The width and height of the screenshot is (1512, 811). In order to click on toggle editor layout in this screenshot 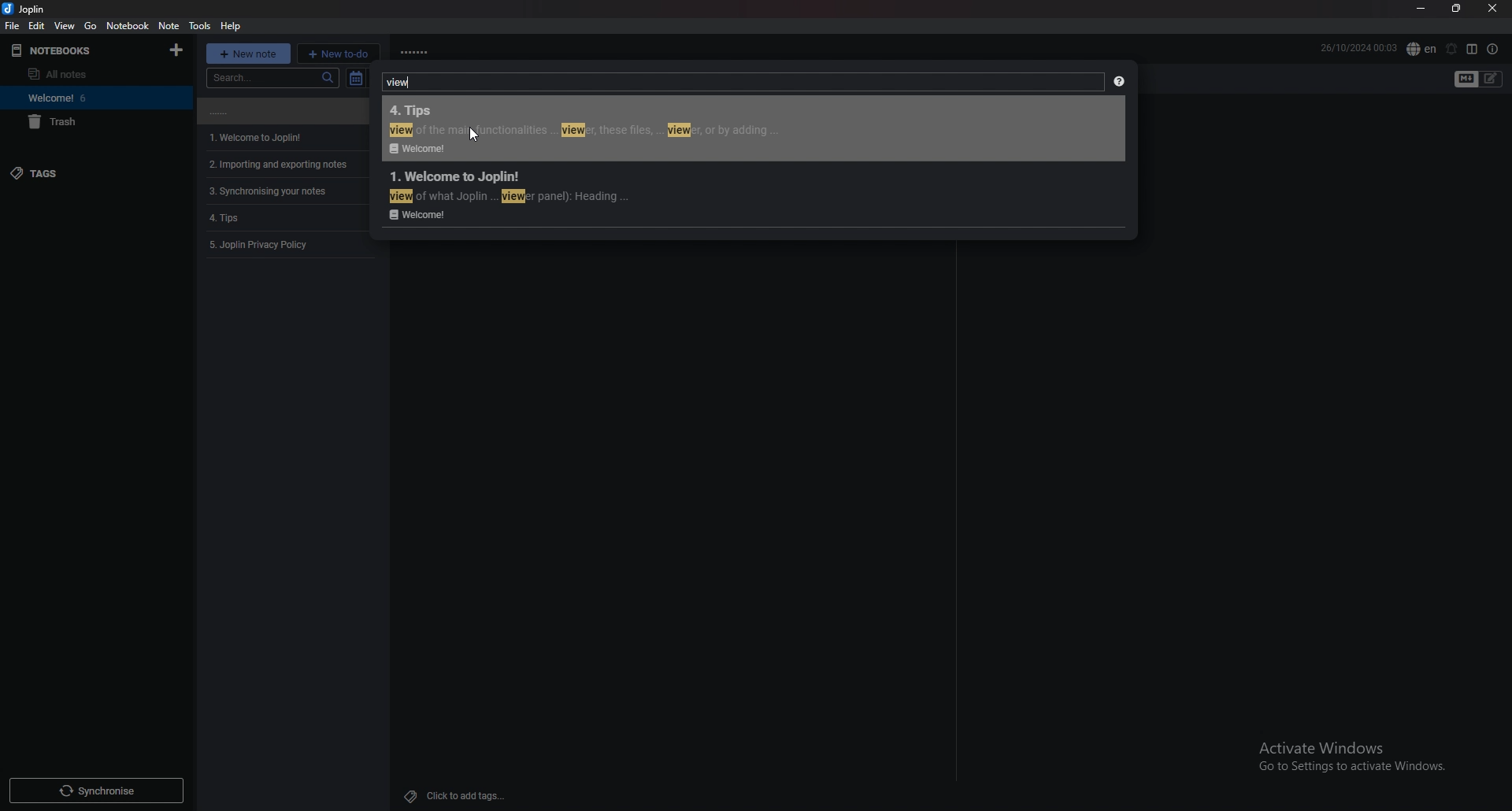, I will do `click(1473, 49)`.